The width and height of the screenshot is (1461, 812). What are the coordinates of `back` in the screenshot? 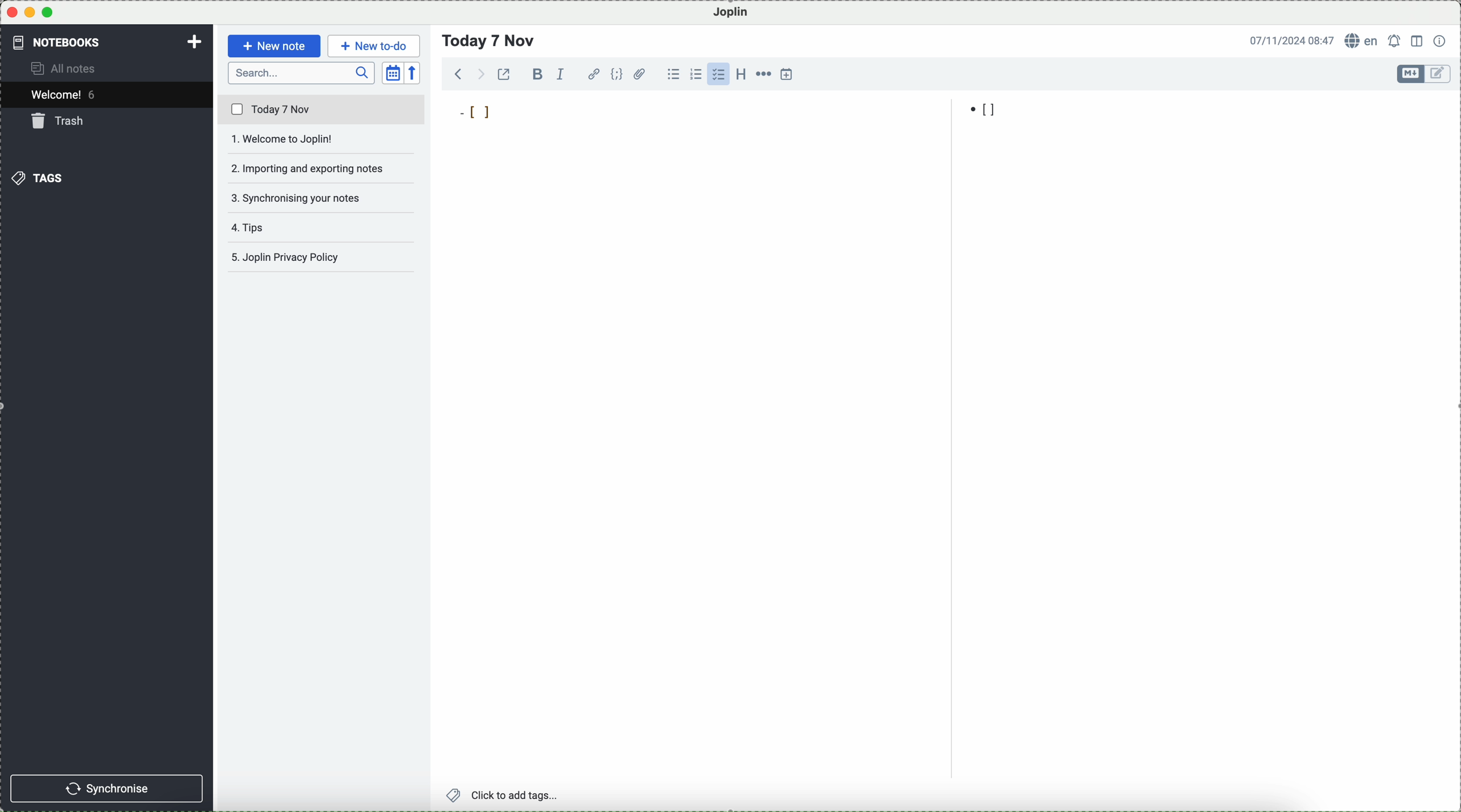 It's located at (459, 73).